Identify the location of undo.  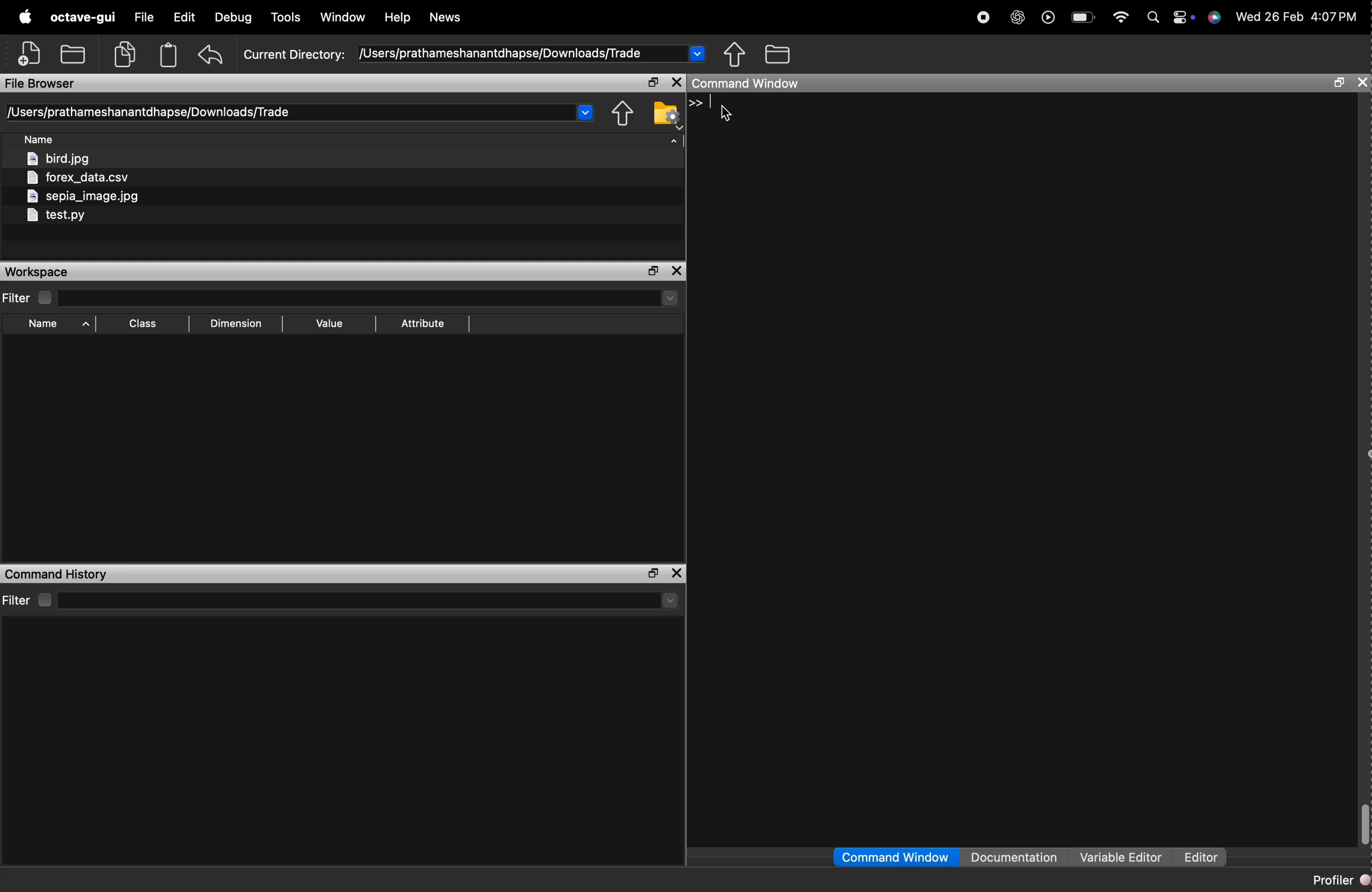
(210, 55).